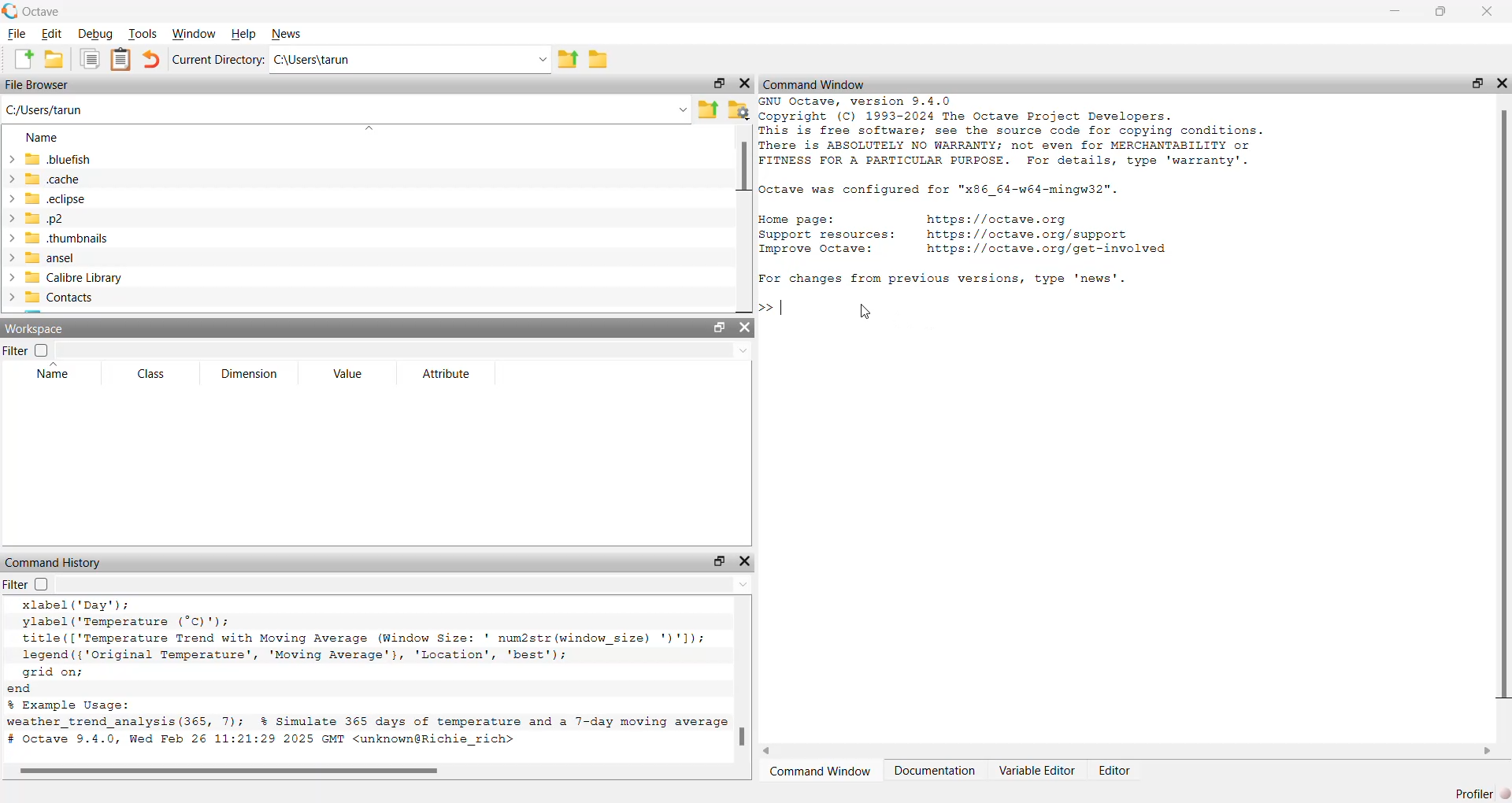 This screenshot has height=803, width=1512. I want to click on eclipse, so click(50, 200).